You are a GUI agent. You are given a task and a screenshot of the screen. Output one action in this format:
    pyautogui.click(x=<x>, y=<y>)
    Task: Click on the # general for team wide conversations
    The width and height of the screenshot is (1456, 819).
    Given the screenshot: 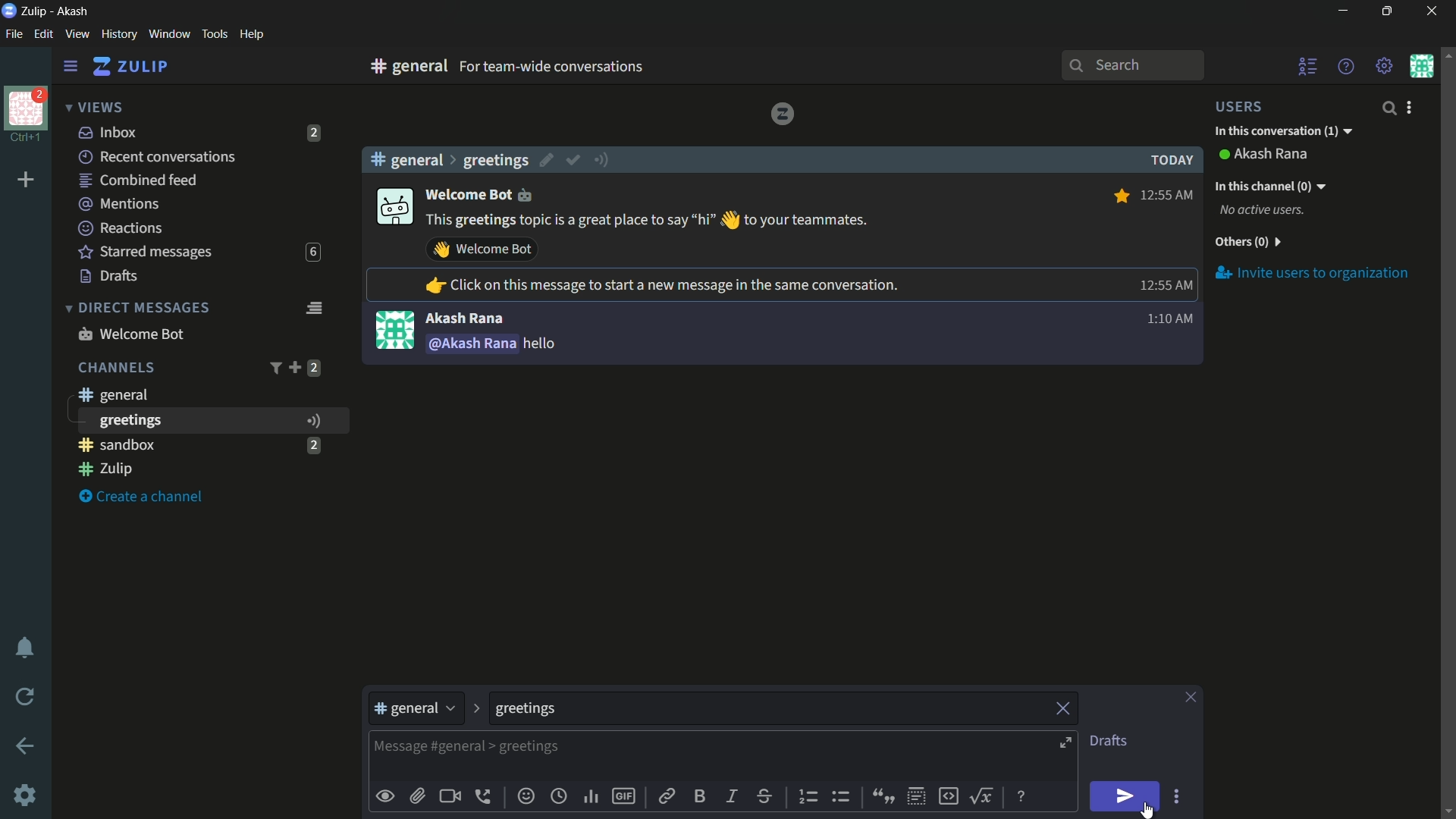 What is the action you would take?
    pyautogui.click(x=578, y=66)
    